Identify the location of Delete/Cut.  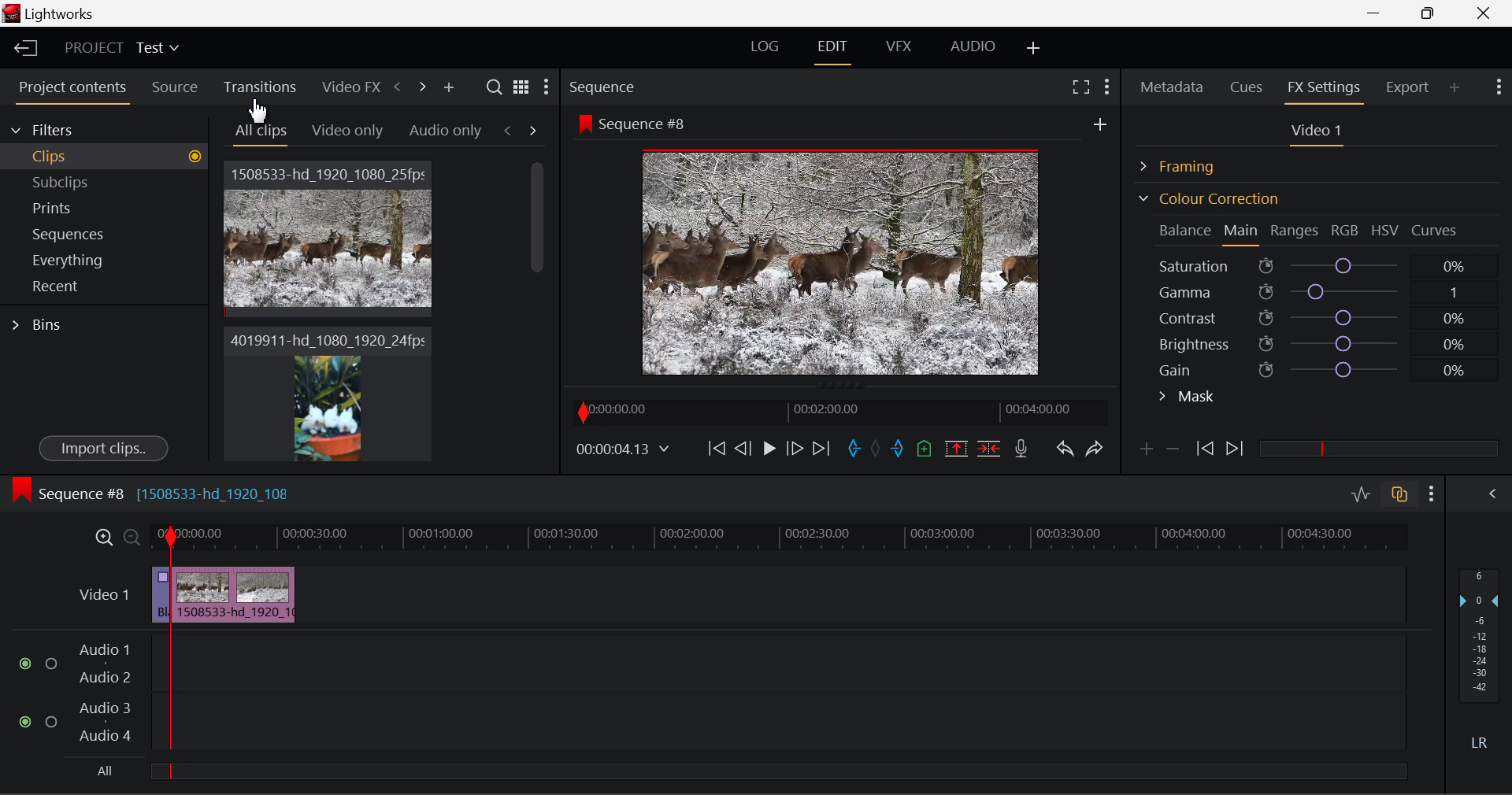
(989, 448).